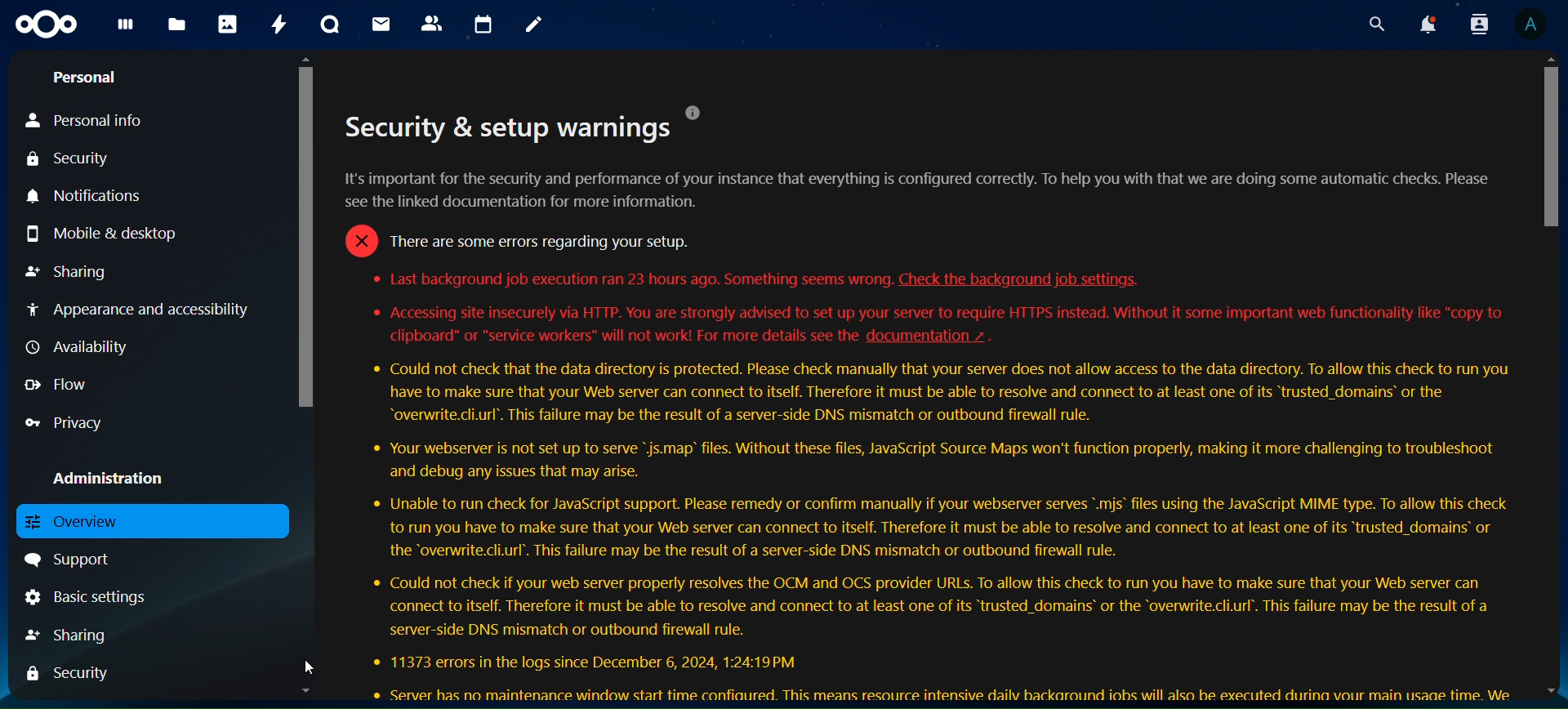 This screenshot has width=1568, height=709. Describe the element at coordinates (57, 384) in the screenshot. I see `flow` at that location.